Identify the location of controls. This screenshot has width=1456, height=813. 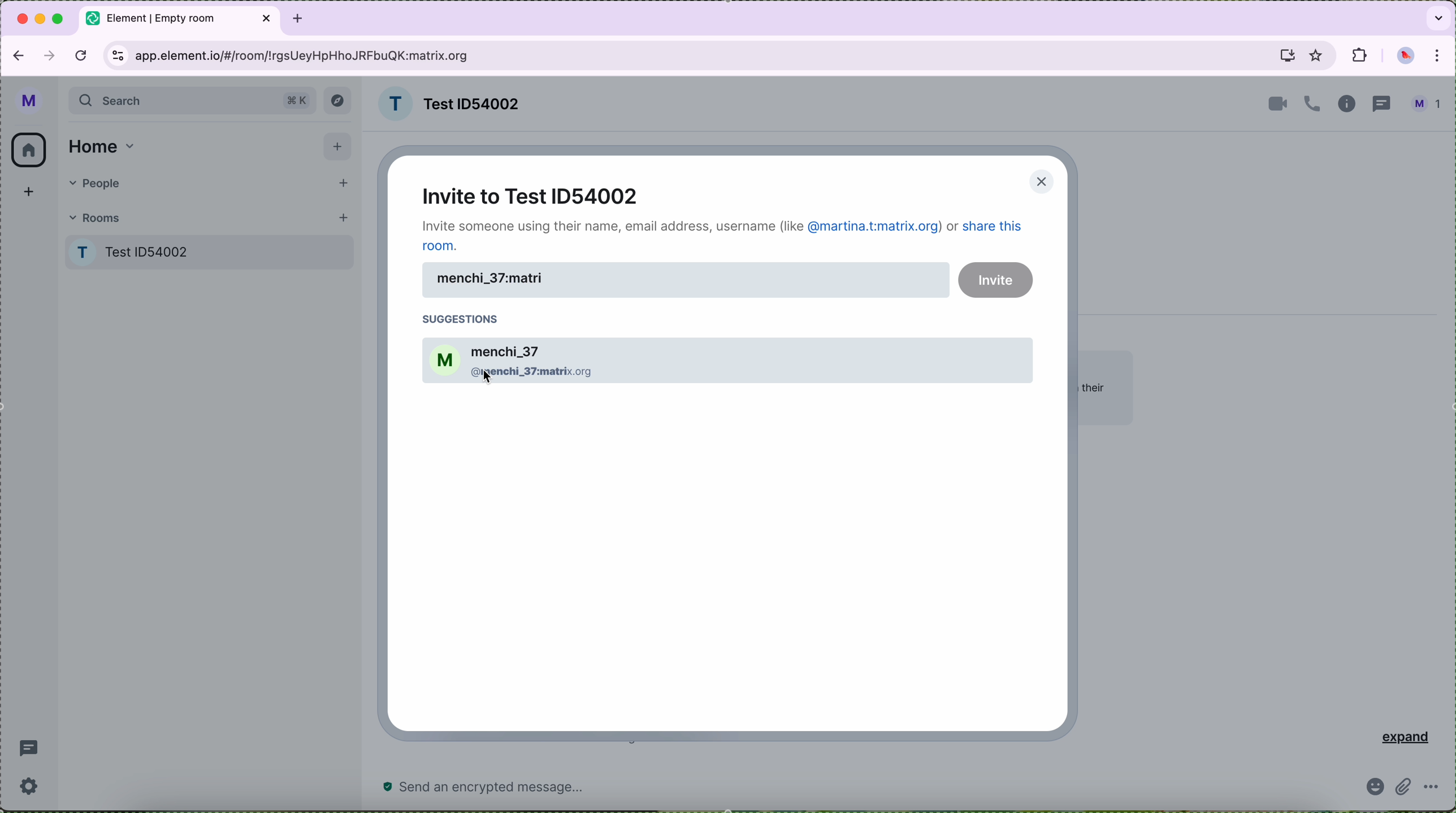
(117, 55).